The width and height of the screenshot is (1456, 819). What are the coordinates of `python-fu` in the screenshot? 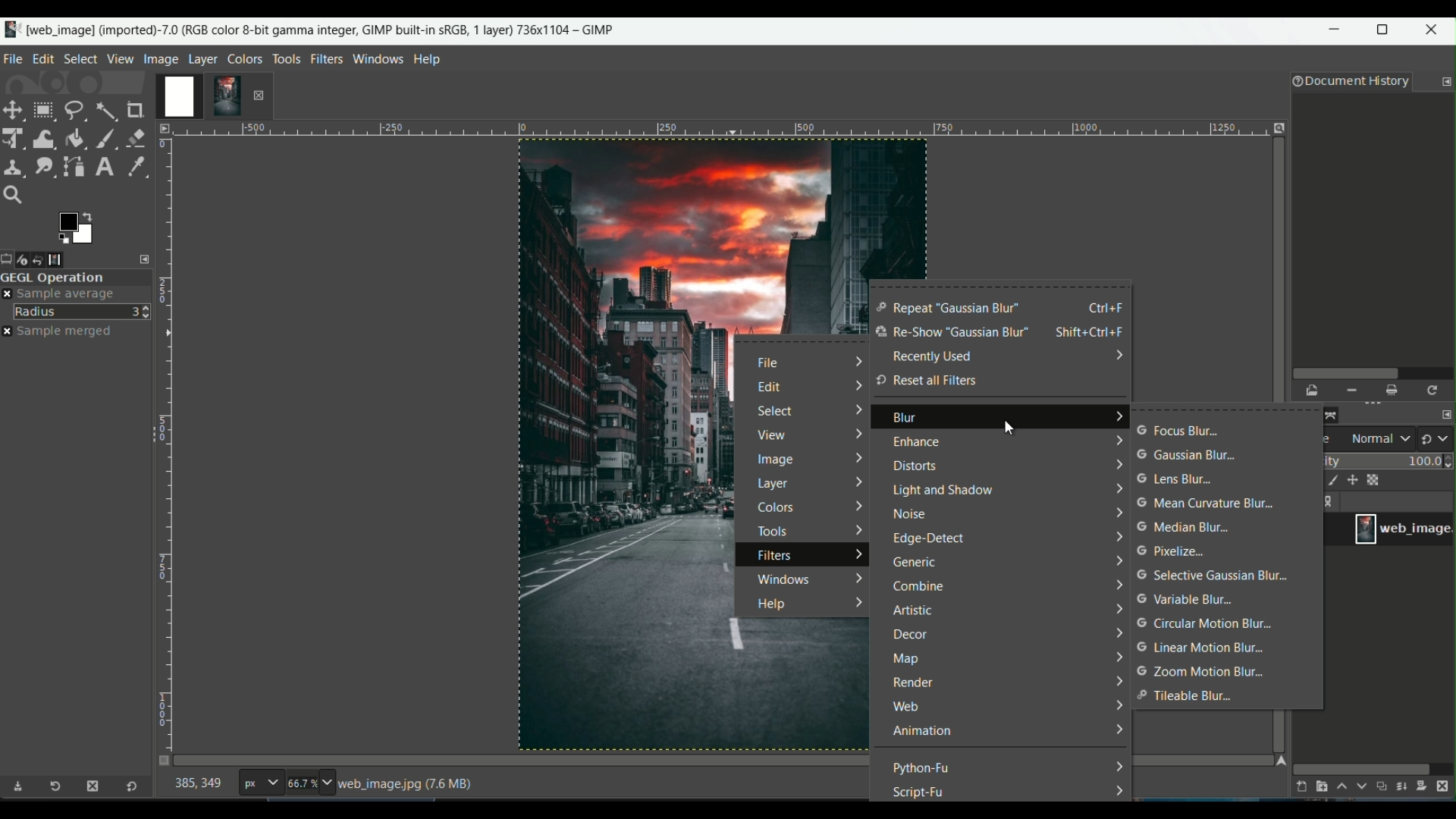 It's located at (923, 767).